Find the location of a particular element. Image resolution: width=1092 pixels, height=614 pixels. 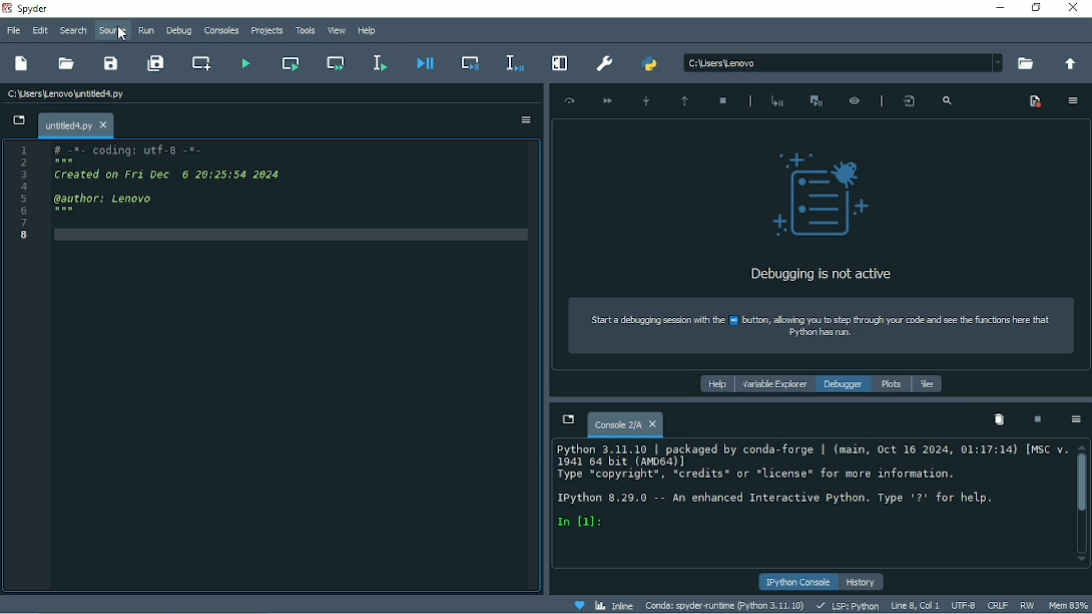

File Location is located at coordinates (842, 62).